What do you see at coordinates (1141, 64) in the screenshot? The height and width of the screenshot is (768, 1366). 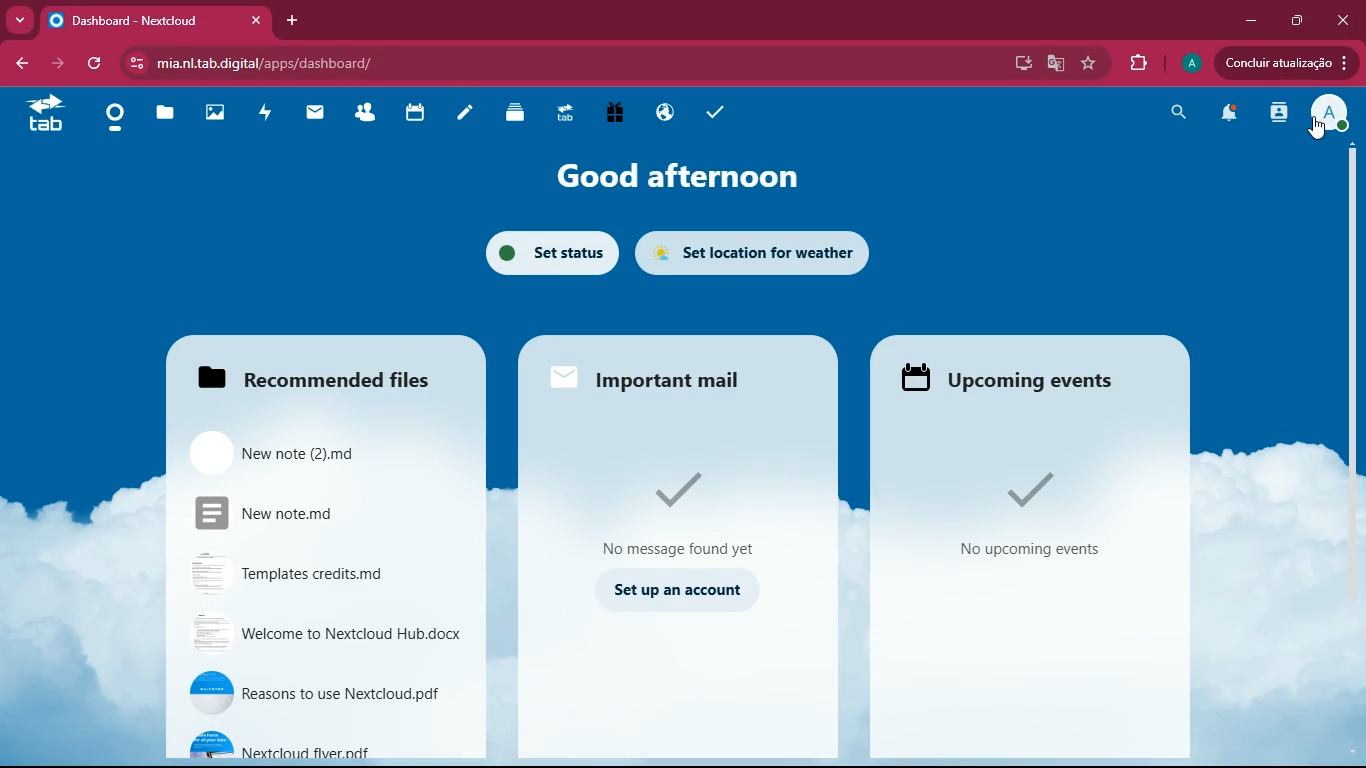 I see `extensions` at bounding box center [1141, 64].